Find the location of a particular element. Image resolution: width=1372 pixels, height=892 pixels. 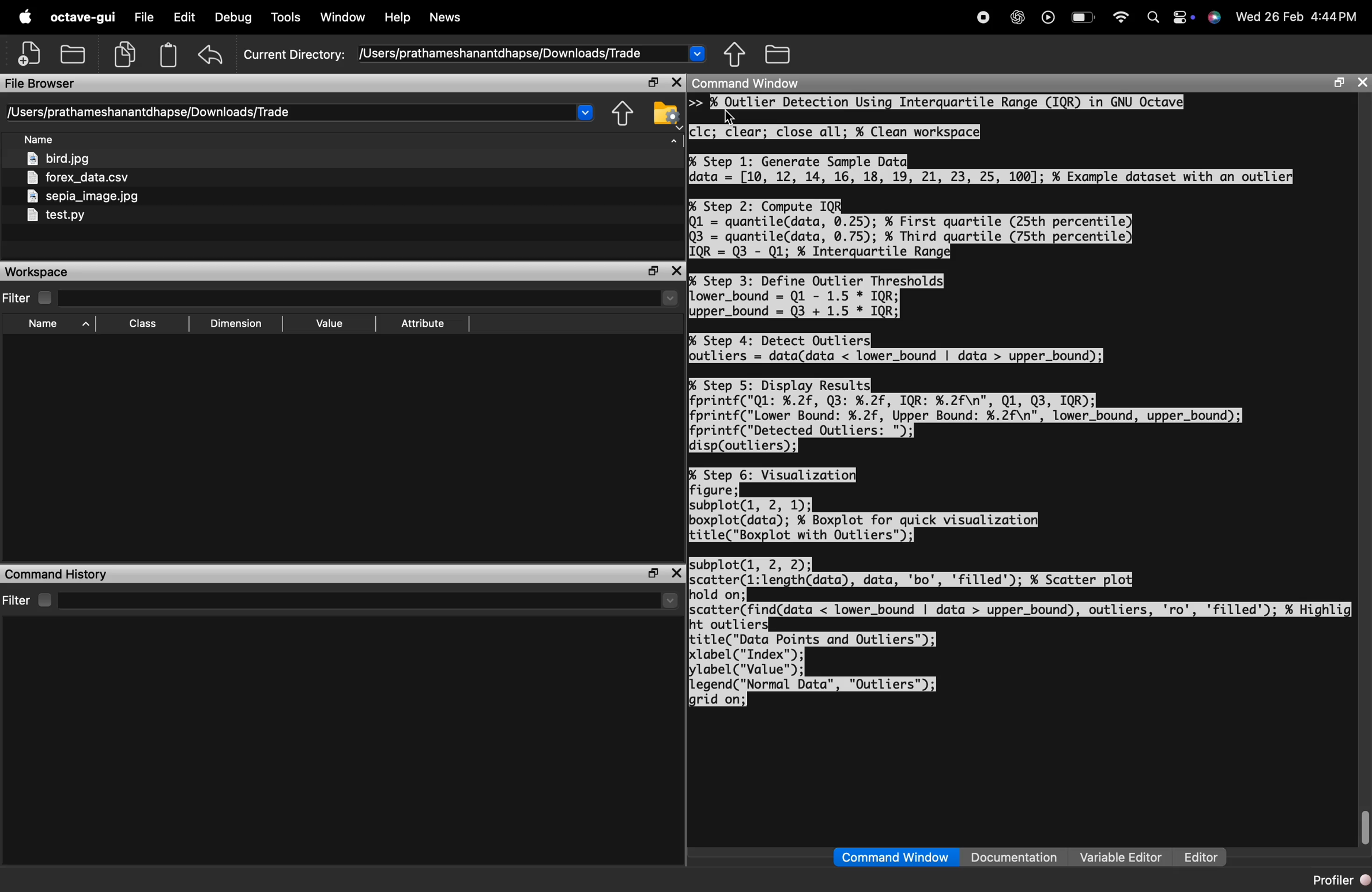

Current Directory: is located at coordinates (296, 56).